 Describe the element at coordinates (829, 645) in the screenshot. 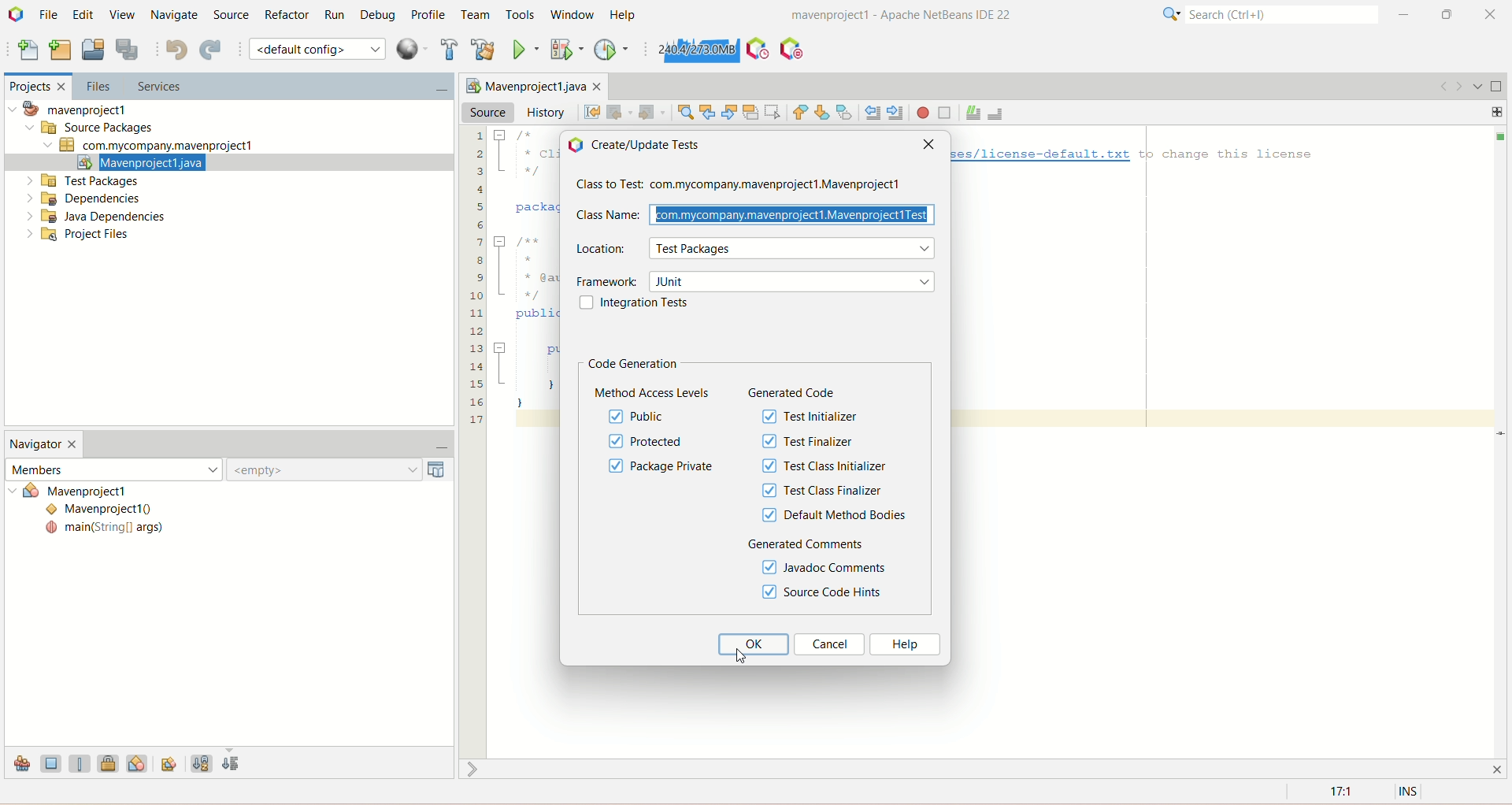

I see `cancel` at that location.